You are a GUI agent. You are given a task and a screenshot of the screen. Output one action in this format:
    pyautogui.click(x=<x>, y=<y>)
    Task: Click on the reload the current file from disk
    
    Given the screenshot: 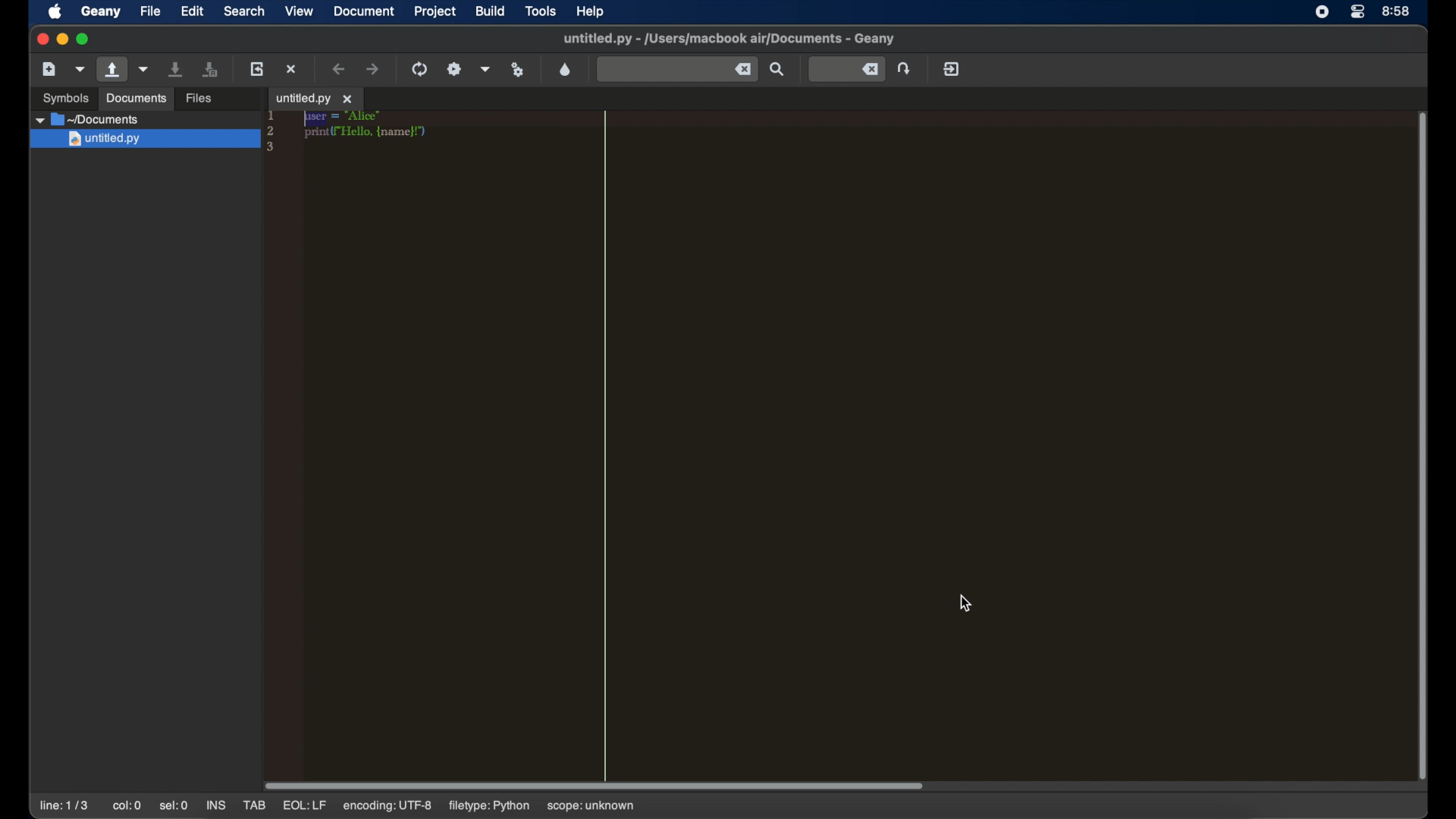 What is the action you would take?
    pyautogui.click(x=258, y=69)
    